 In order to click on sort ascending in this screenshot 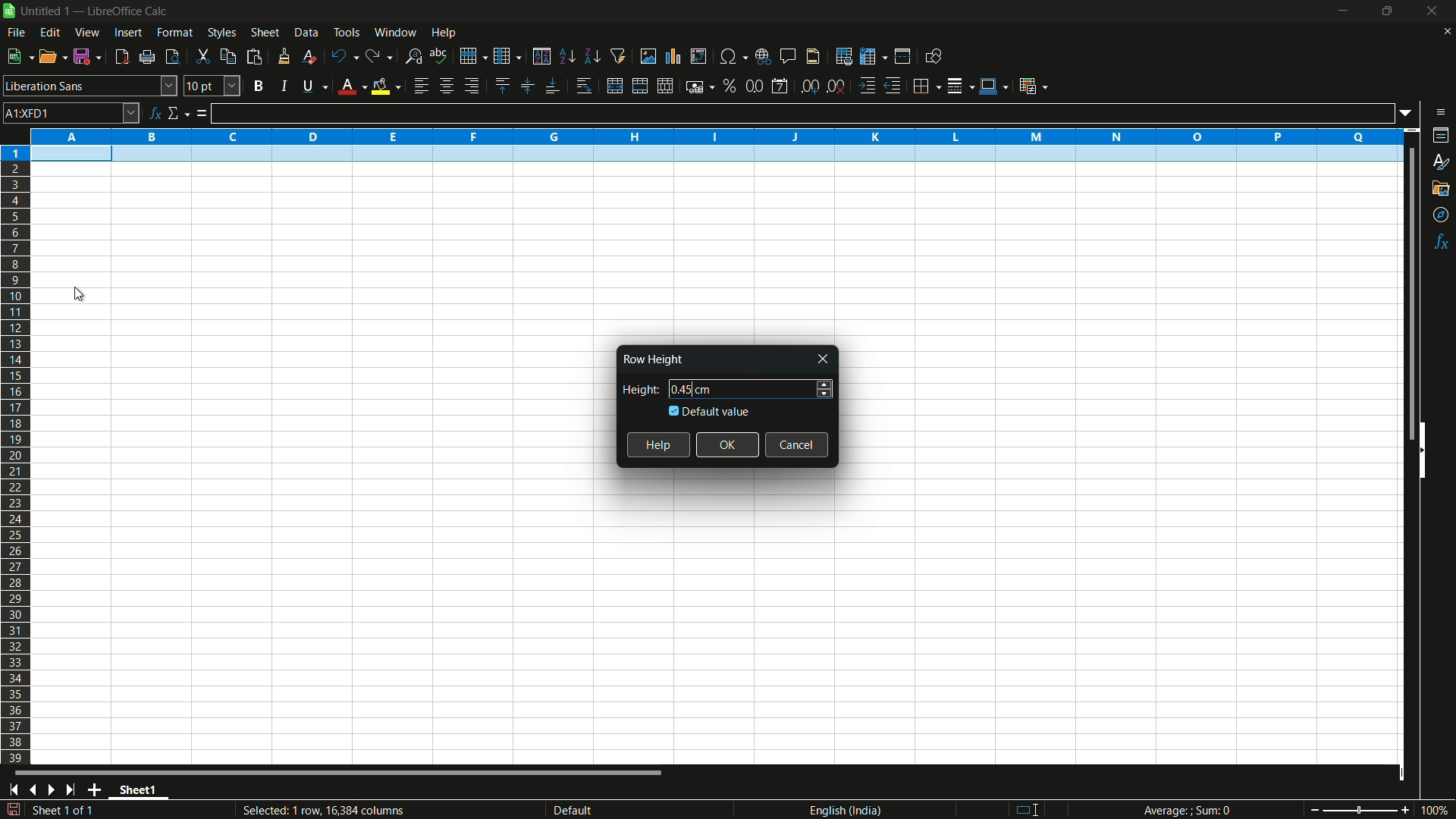, I will do `click(566, 57)`.